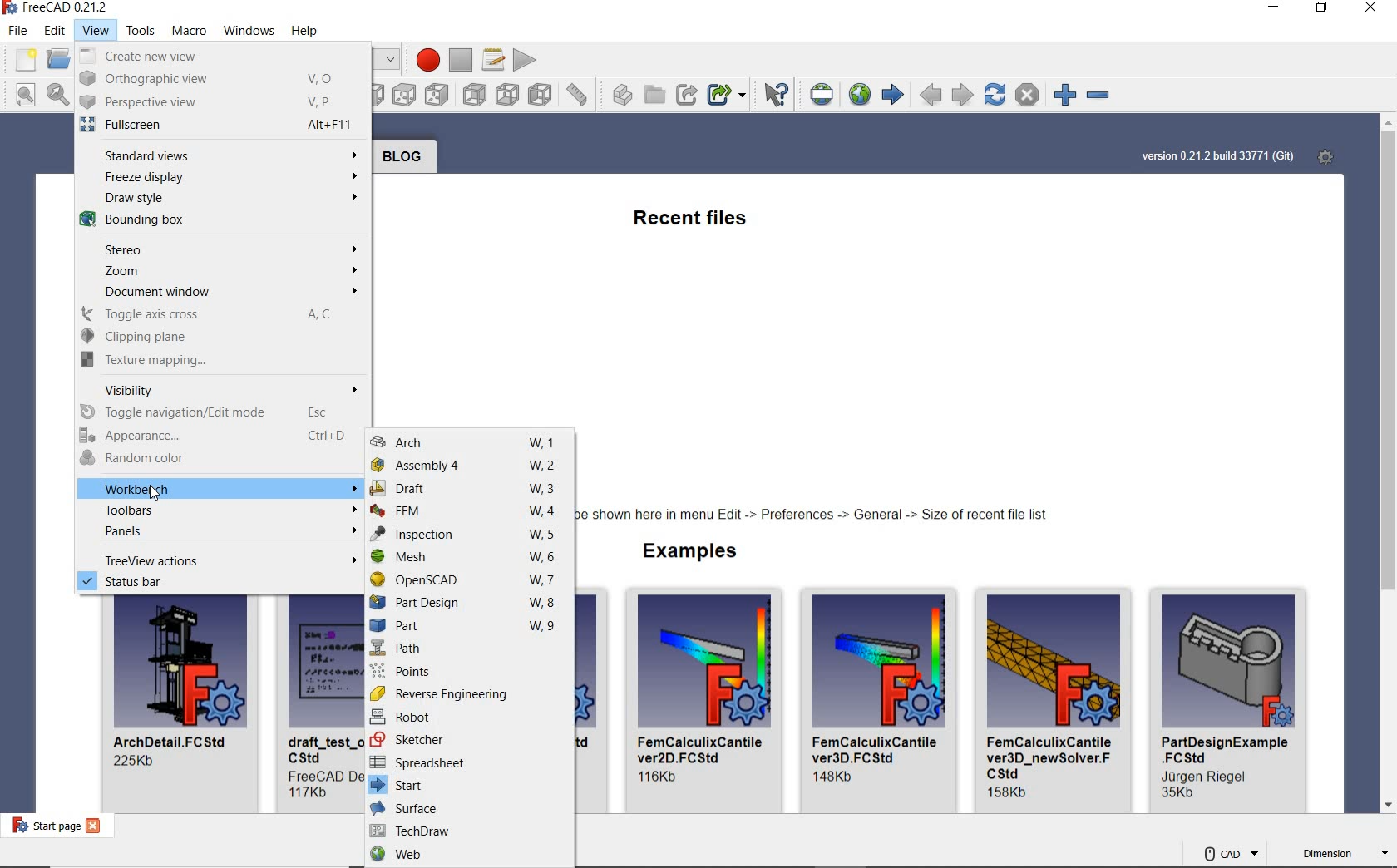  I want to click on FEM, so click(466, 514).